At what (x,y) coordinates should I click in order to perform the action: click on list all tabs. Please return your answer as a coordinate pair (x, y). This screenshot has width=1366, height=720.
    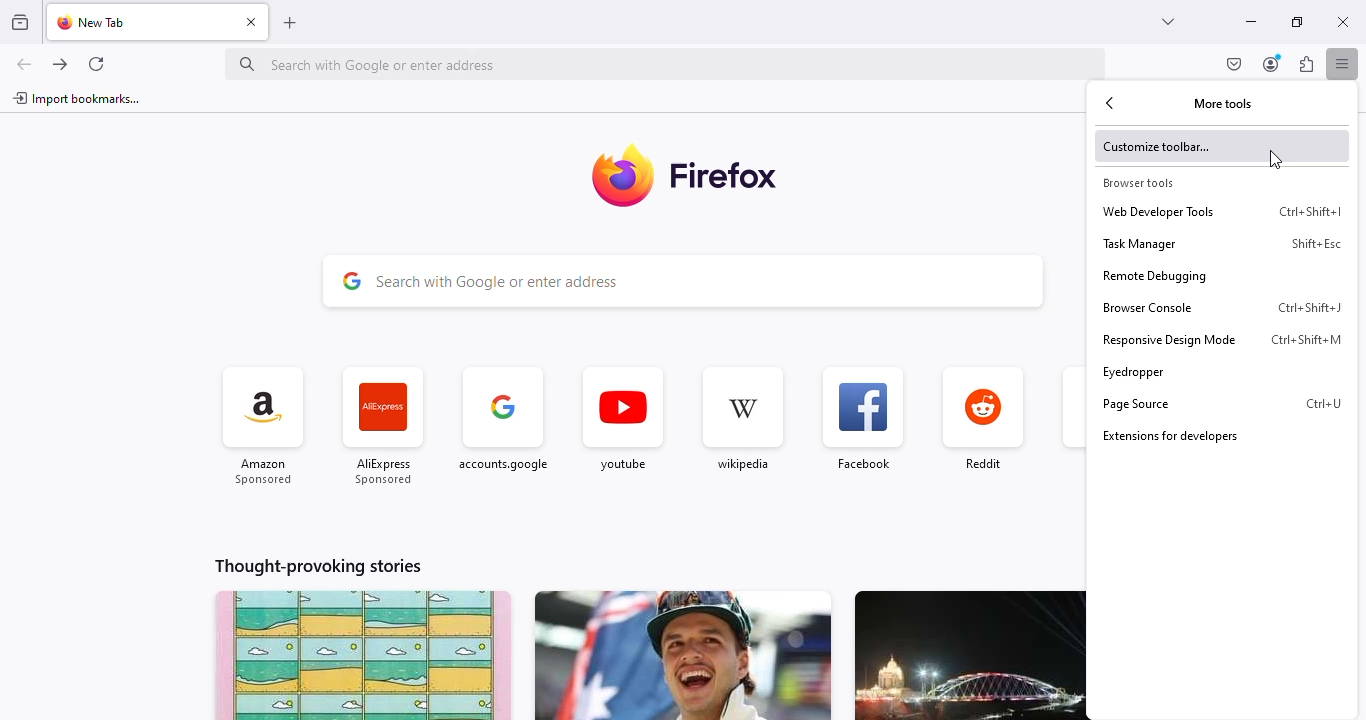
    Looking at the image, I should click on (1170, 22).